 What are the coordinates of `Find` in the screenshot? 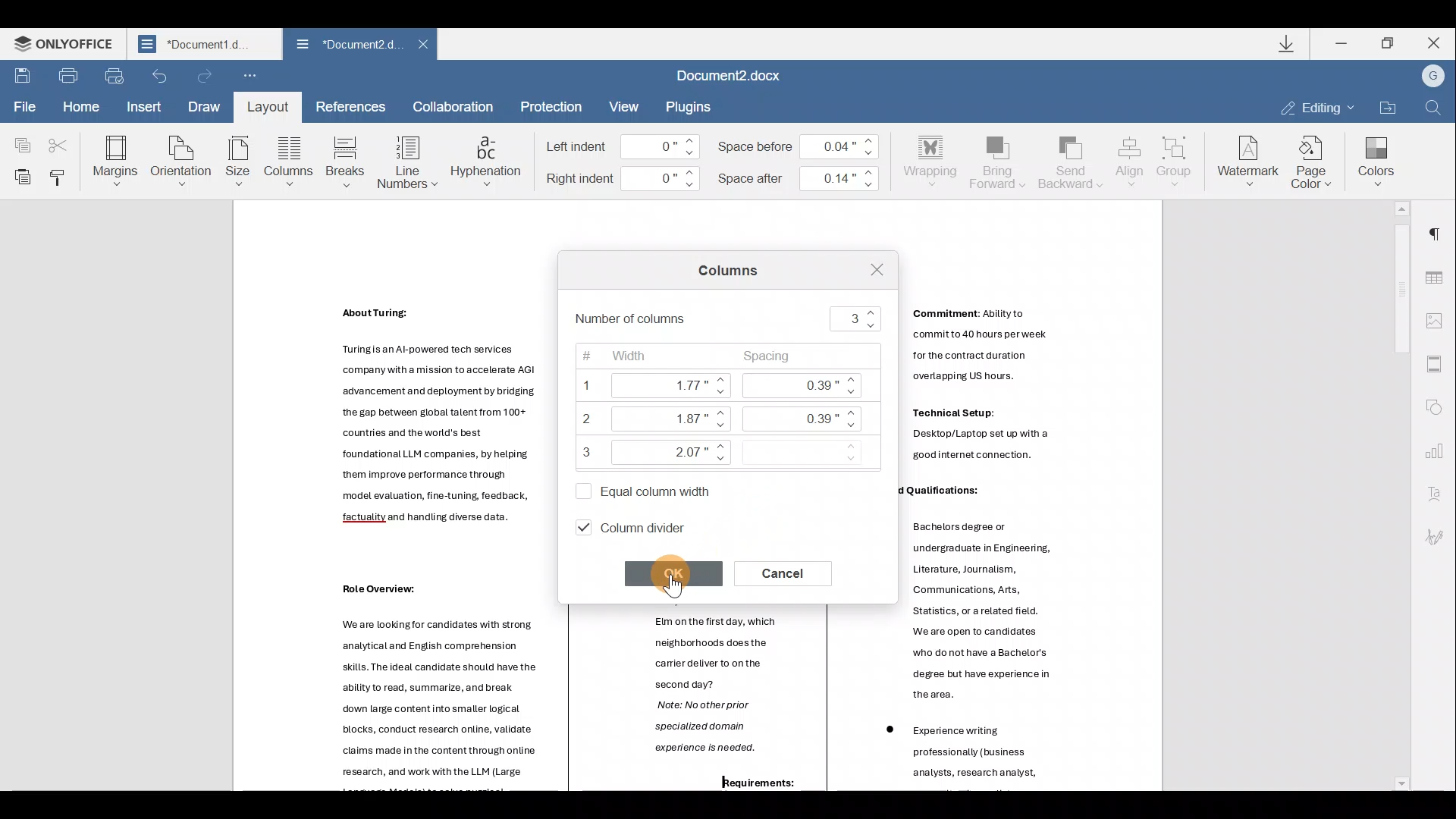 It's located at (1434, 108).